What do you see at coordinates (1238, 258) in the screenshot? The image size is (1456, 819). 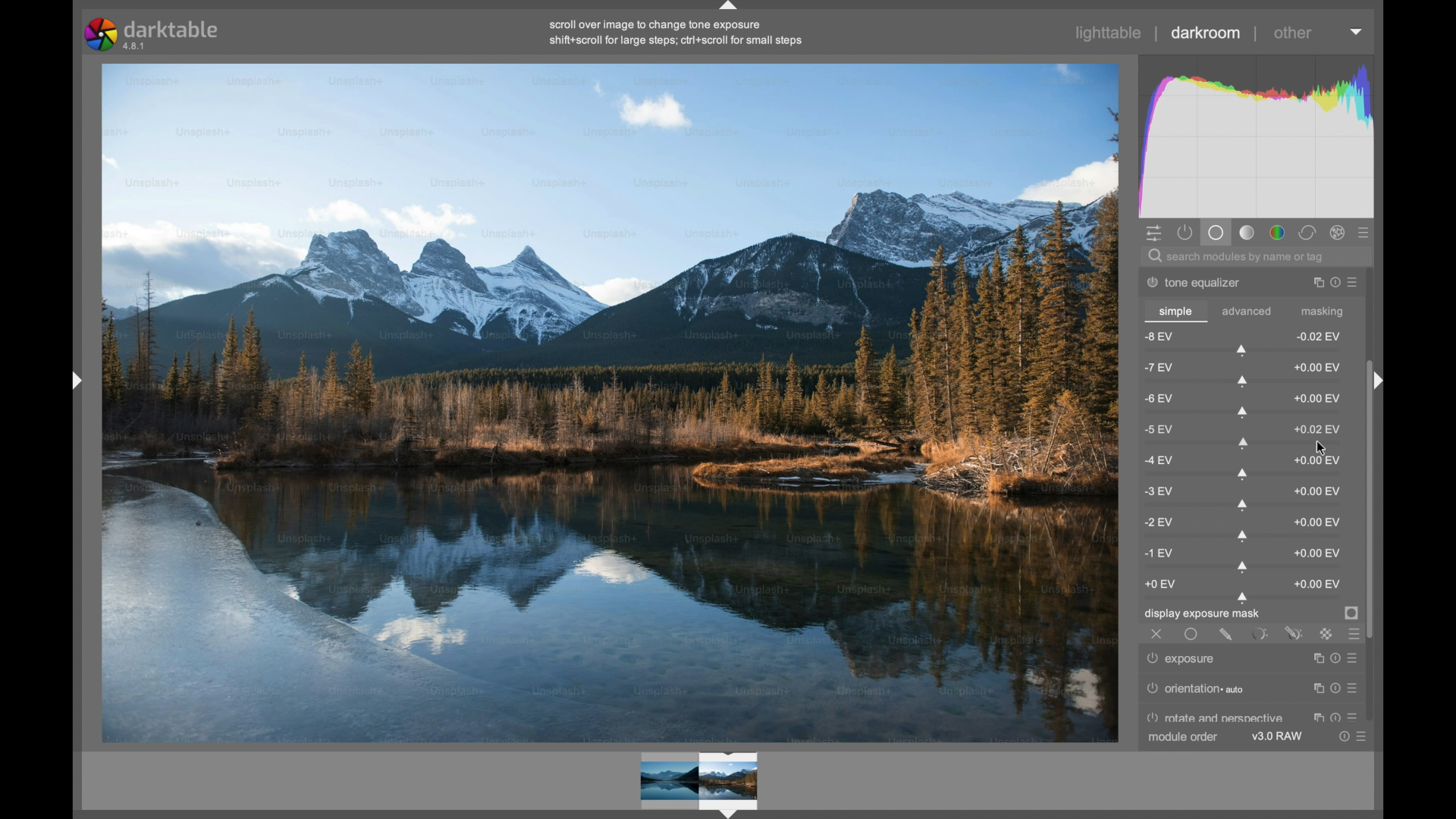 I see `search modules by name or tag` at bounding box center [1238, 258].